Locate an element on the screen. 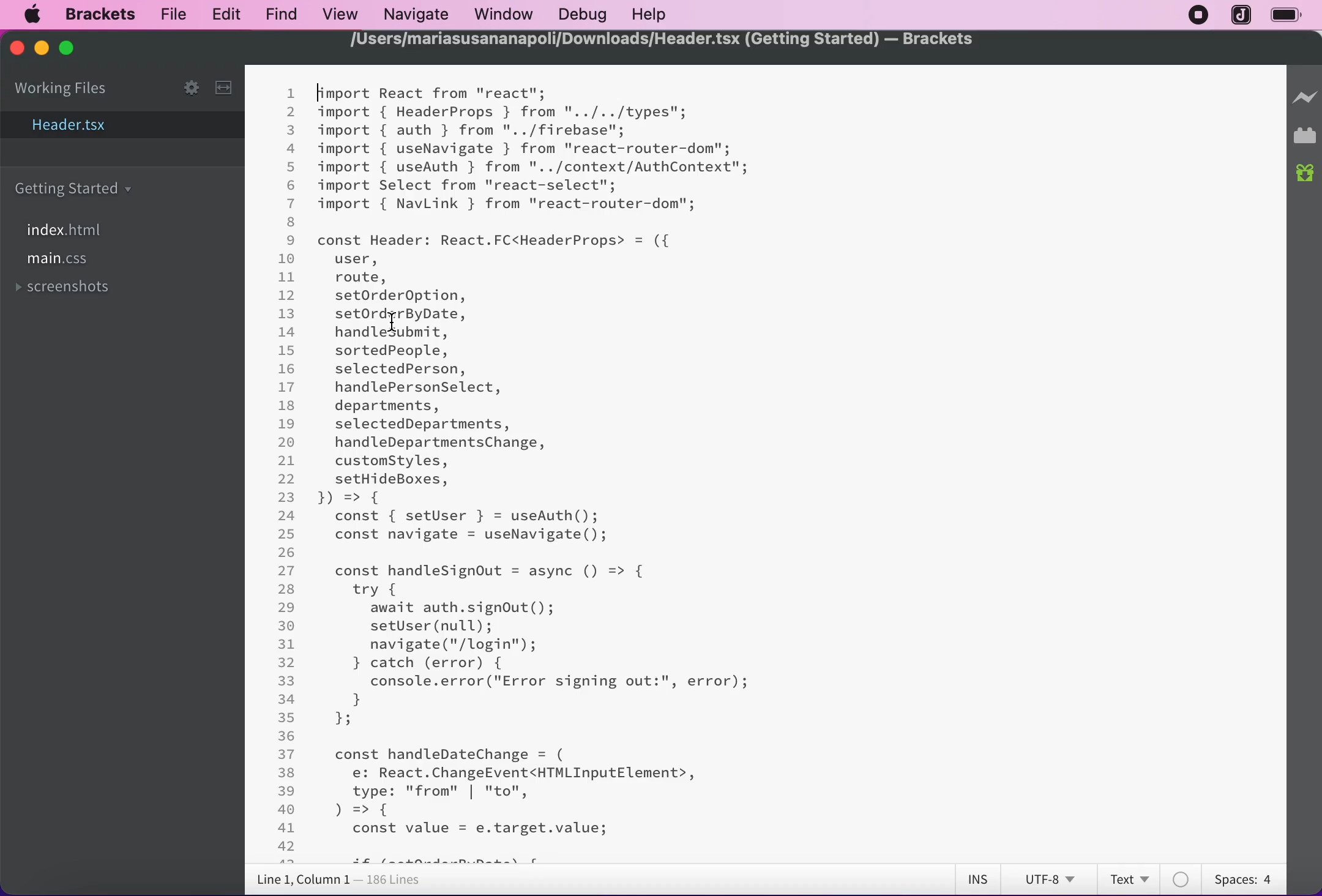 The height and width of the screenshot is (896, 1322). live preview is located at coordinates (1305, 92).